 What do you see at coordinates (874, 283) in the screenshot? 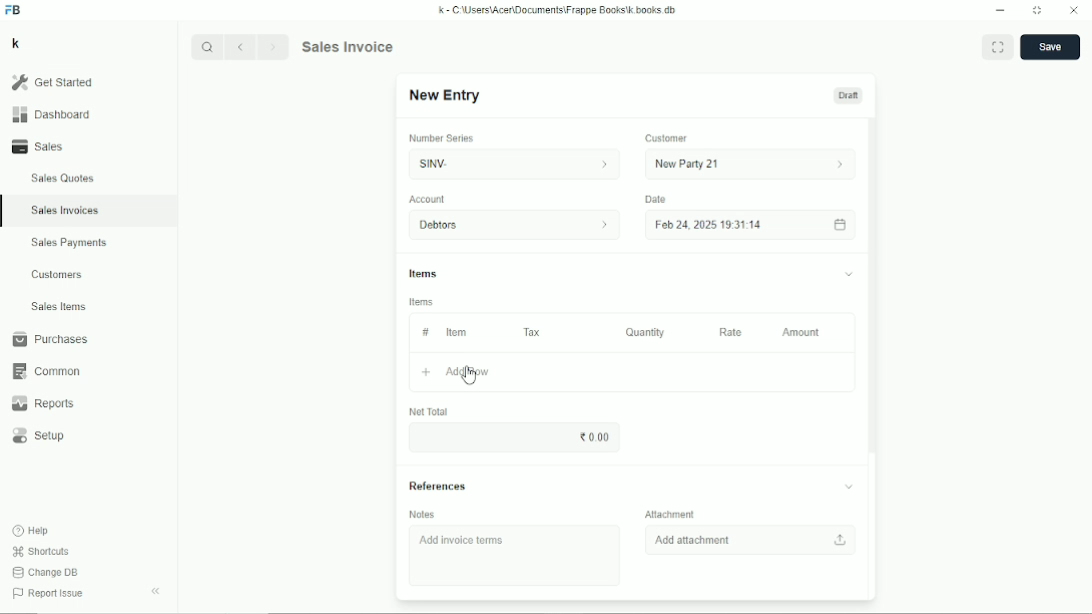
I see `Vertical scrollbar` at bounding box center [874, 283].